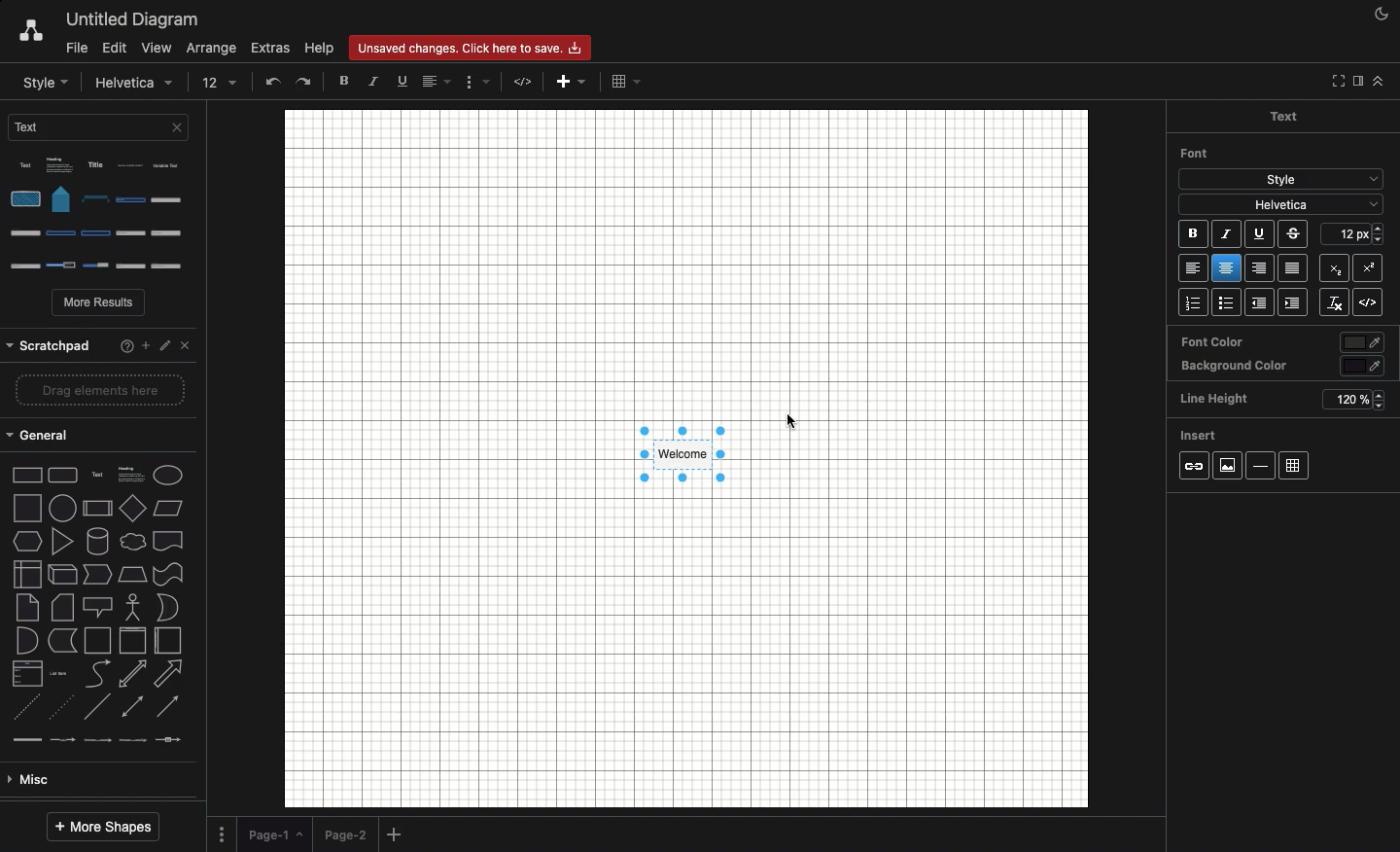 This screenshot has height=852, width=1400. I want to click on Undo, so click(232, 83).